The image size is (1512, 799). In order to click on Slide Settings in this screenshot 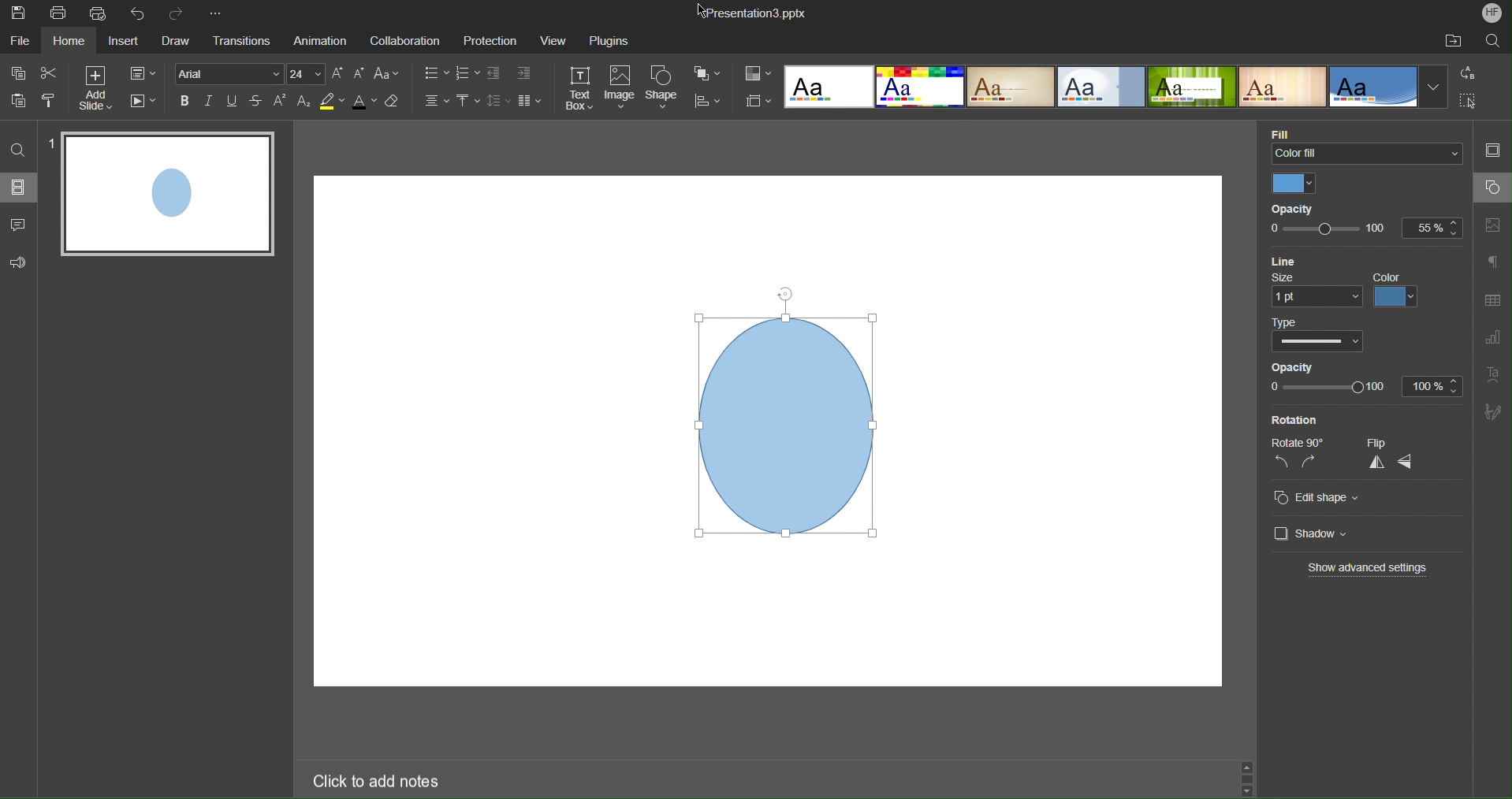, I will do `click(143, 74)`.